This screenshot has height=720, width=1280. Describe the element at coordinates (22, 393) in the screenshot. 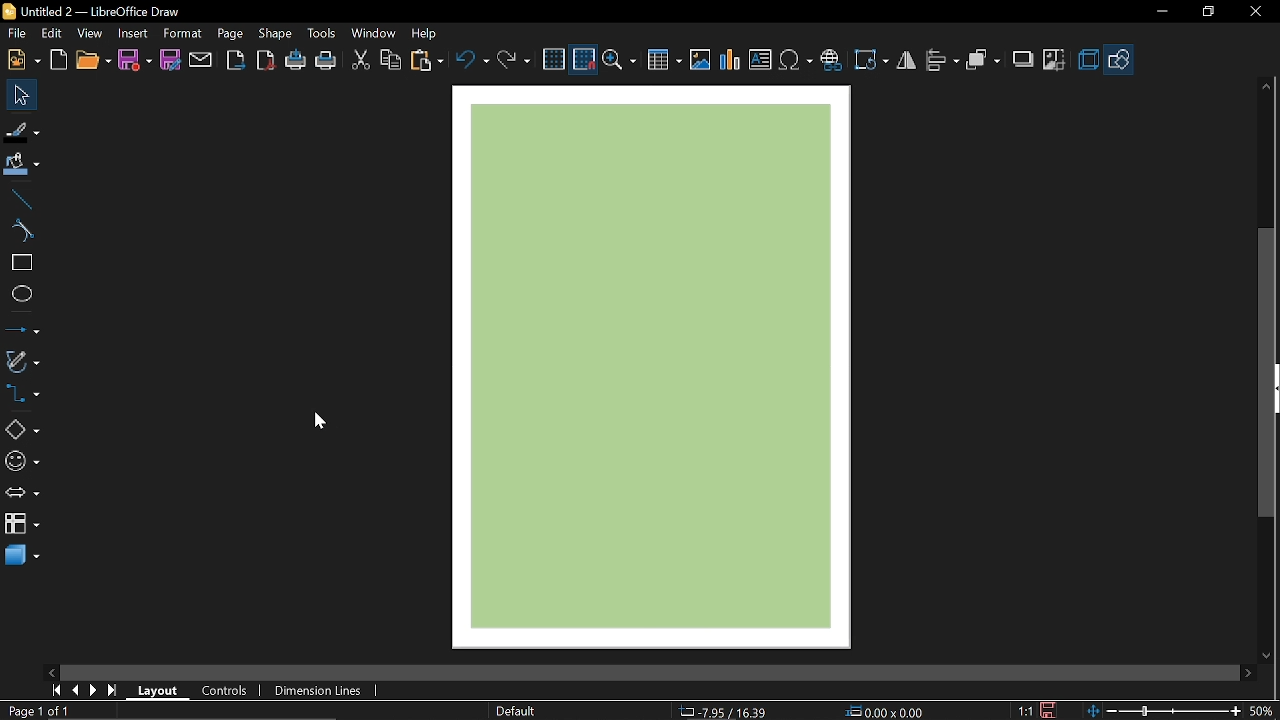

I see `Connectors` at that location.